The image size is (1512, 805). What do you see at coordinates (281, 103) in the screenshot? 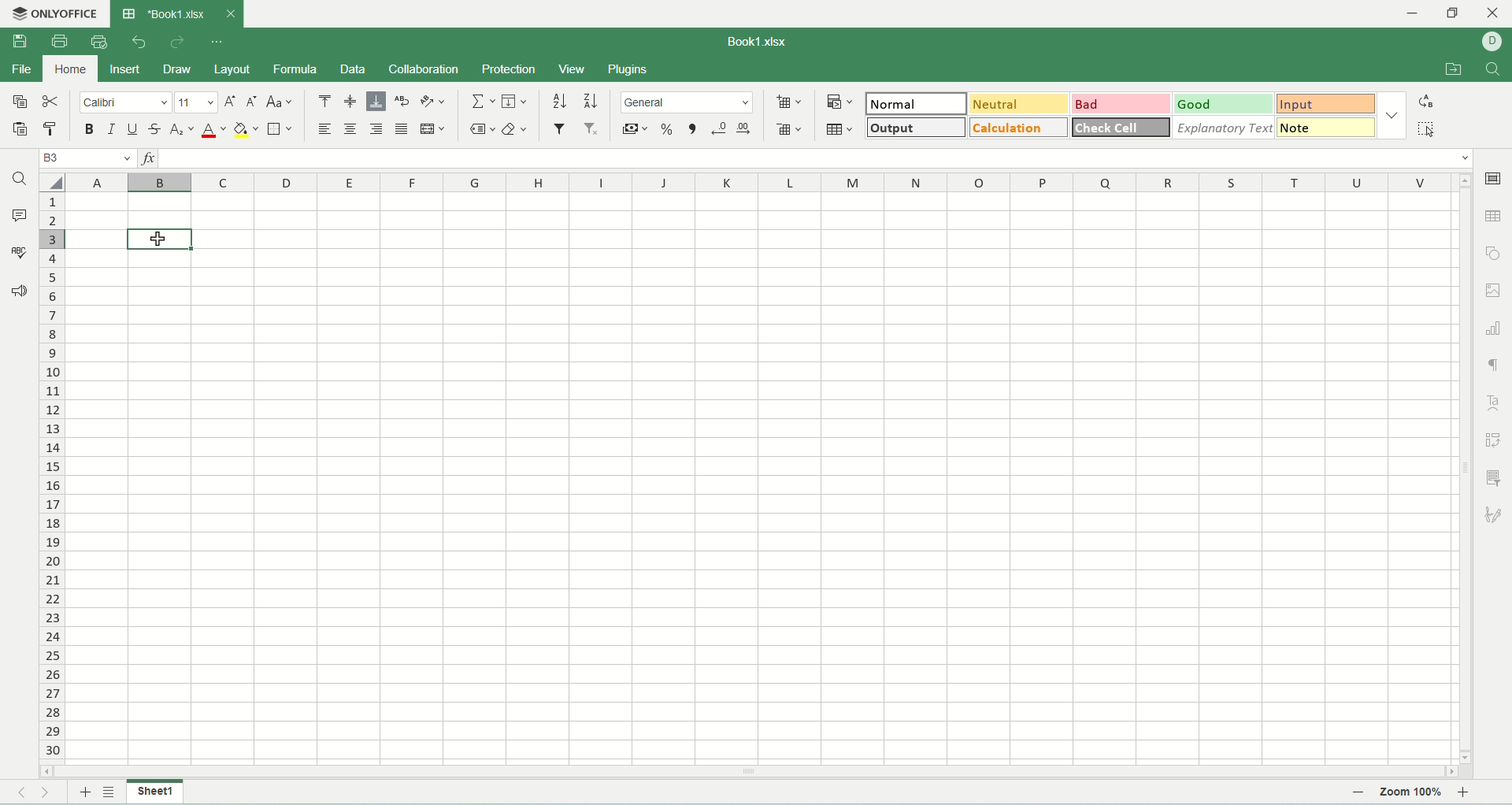
I see `change case` at bounding box center [281, 103].